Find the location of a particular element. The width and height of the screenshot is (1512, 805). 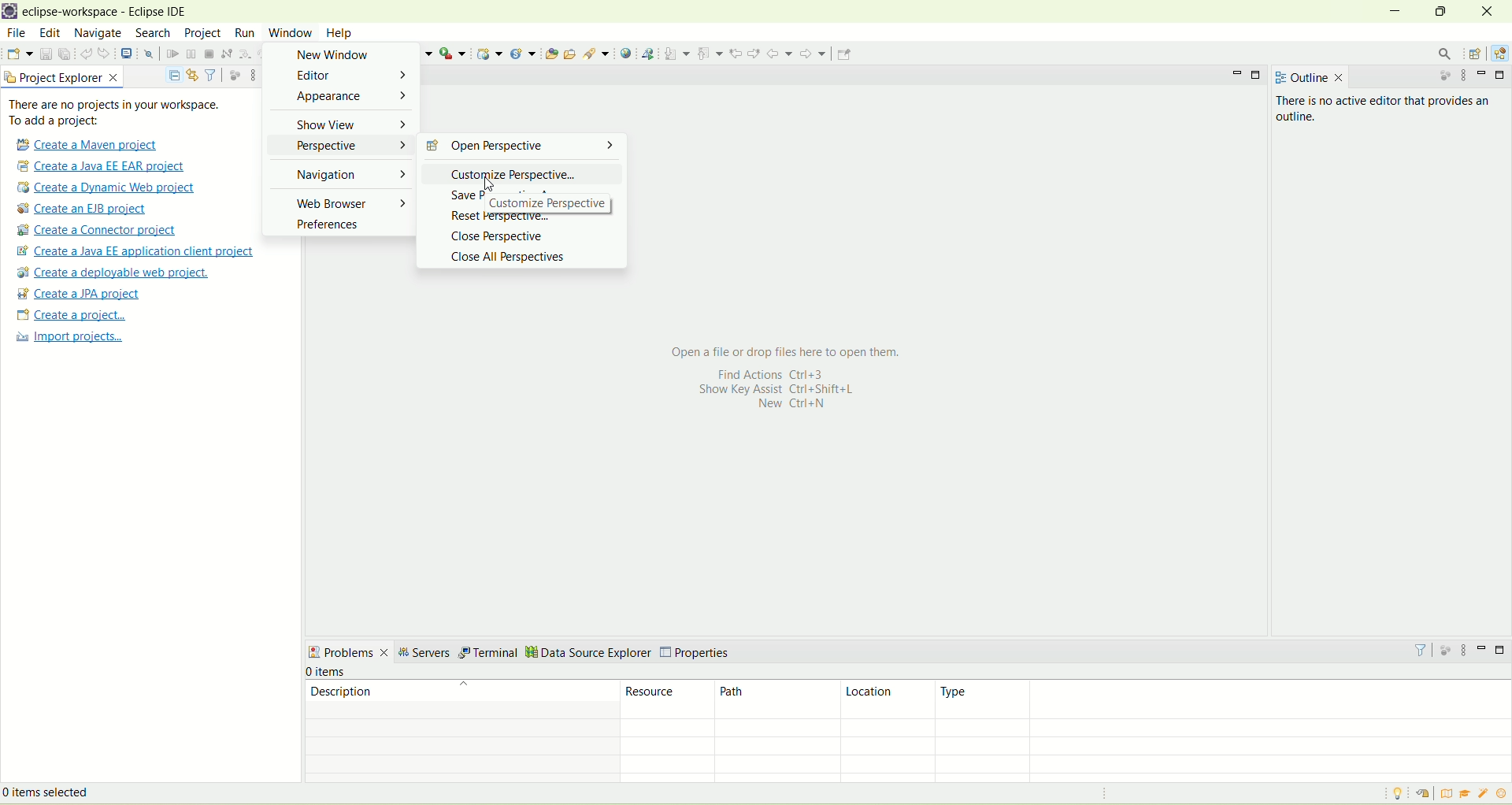

create a deployable web project is located at coordinates (111, 273).